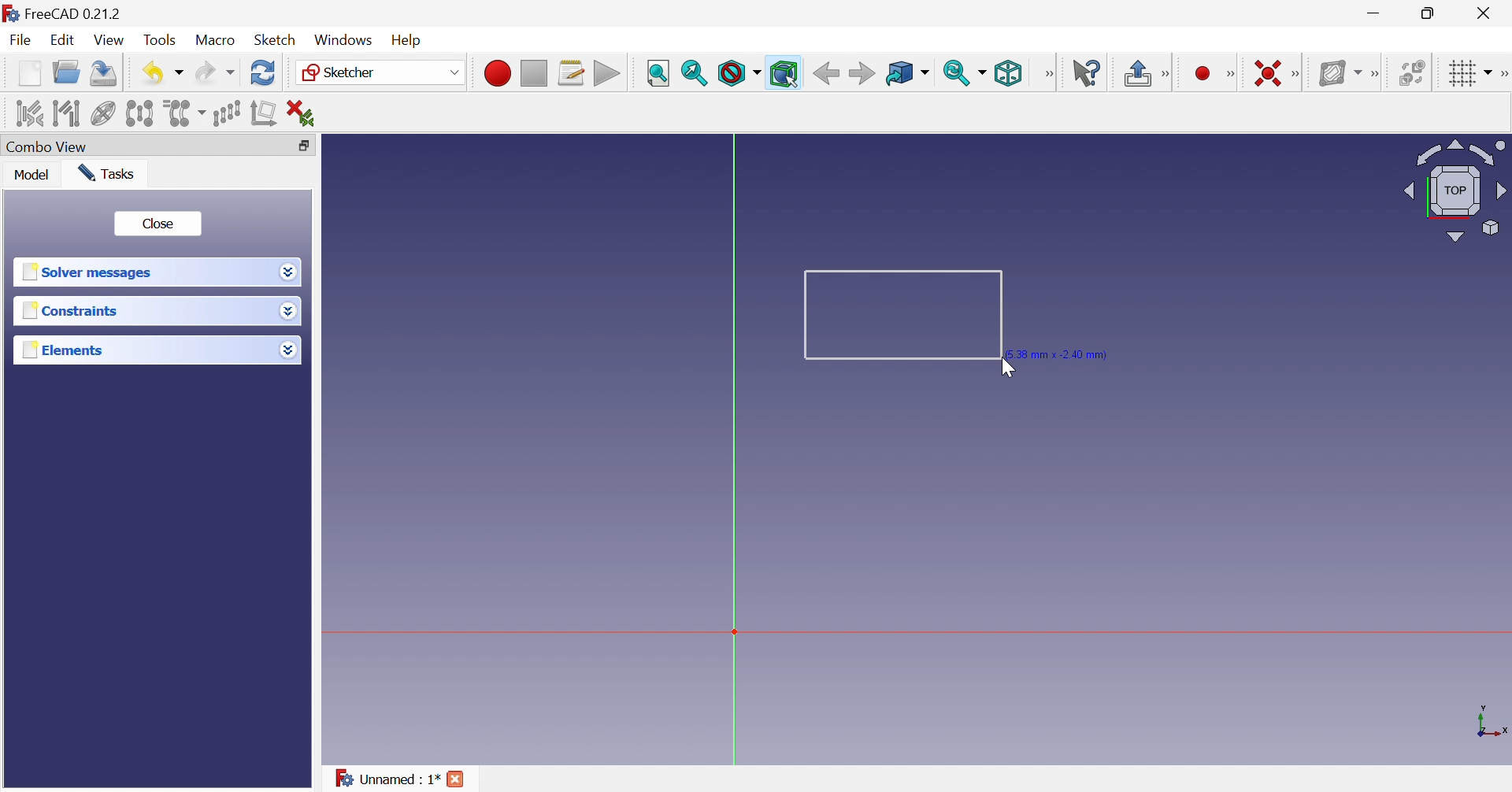 This screenshot has height=792, width=1512. Describe the element at coordinates (106, 172) in the screenshot. I see `Tasks` at that location.